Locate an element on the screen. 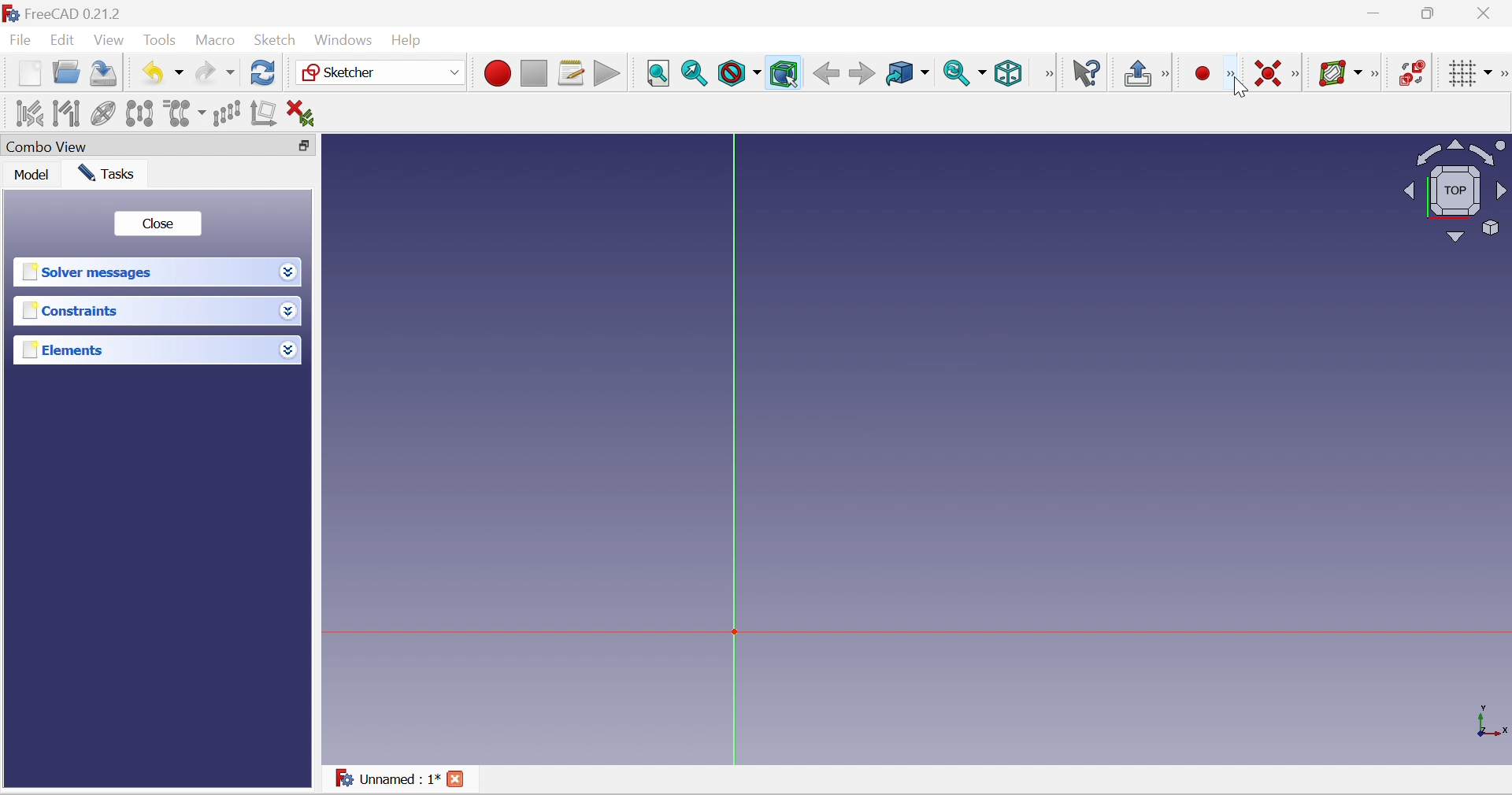 This screenshot has width=1512, height=795. [Sketcher constraints] is located at coordinates (1295, 75).